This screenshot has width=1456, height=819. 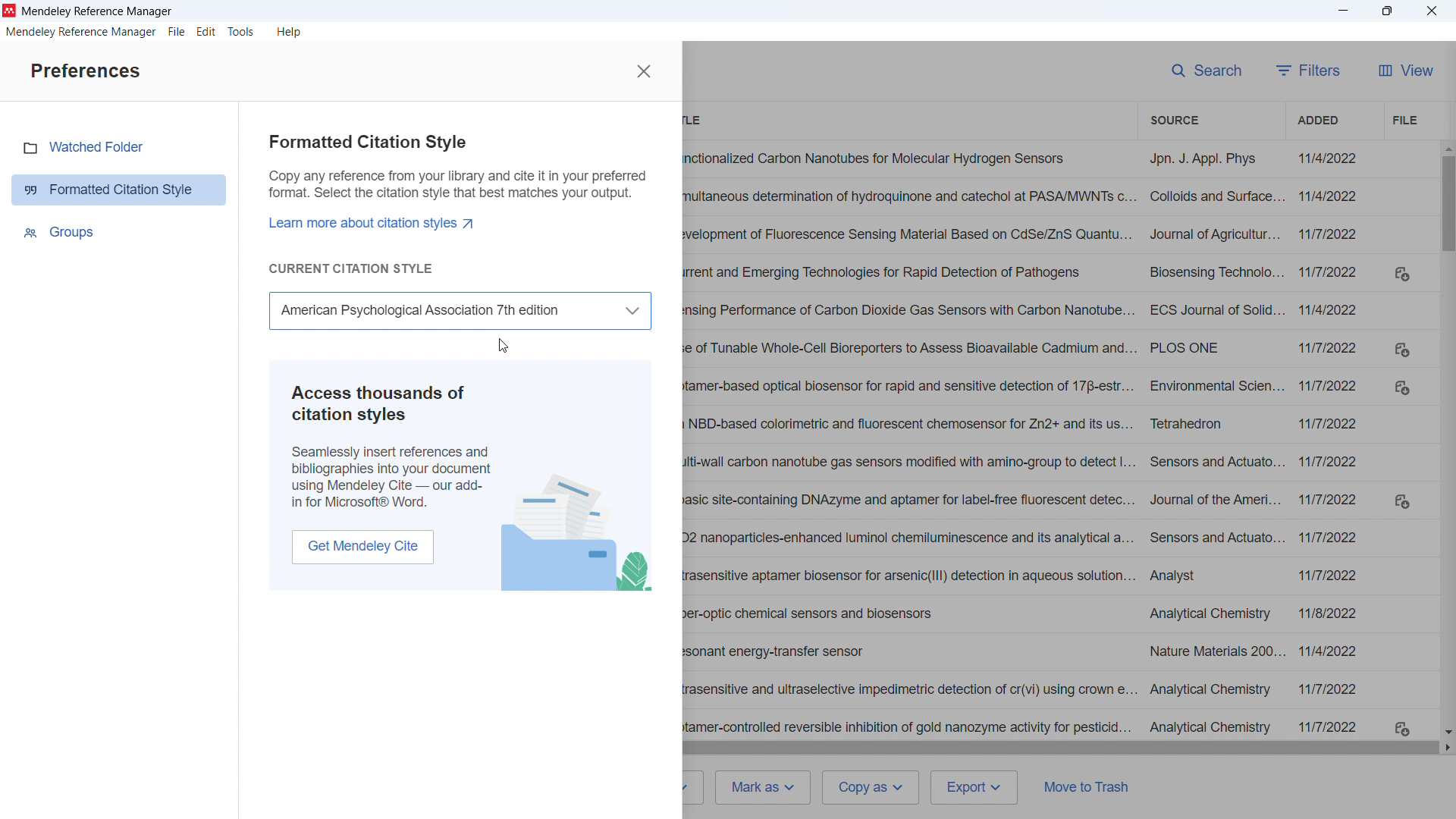 I want to click on View , so click(x=1407, y=71).